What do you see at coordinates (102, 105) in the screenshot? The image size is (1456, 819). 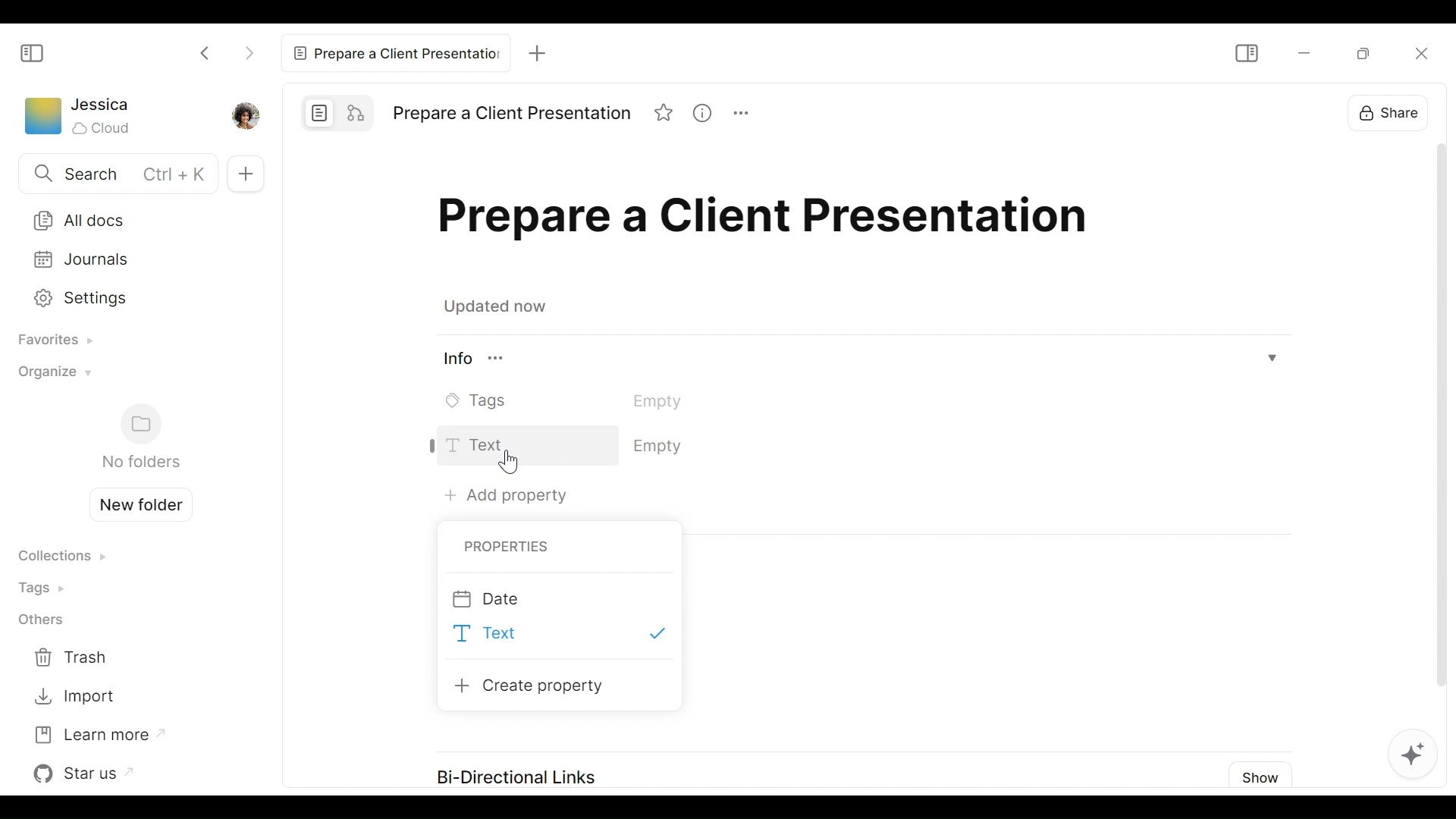 I see `Username` at bounding box center [102, 105].